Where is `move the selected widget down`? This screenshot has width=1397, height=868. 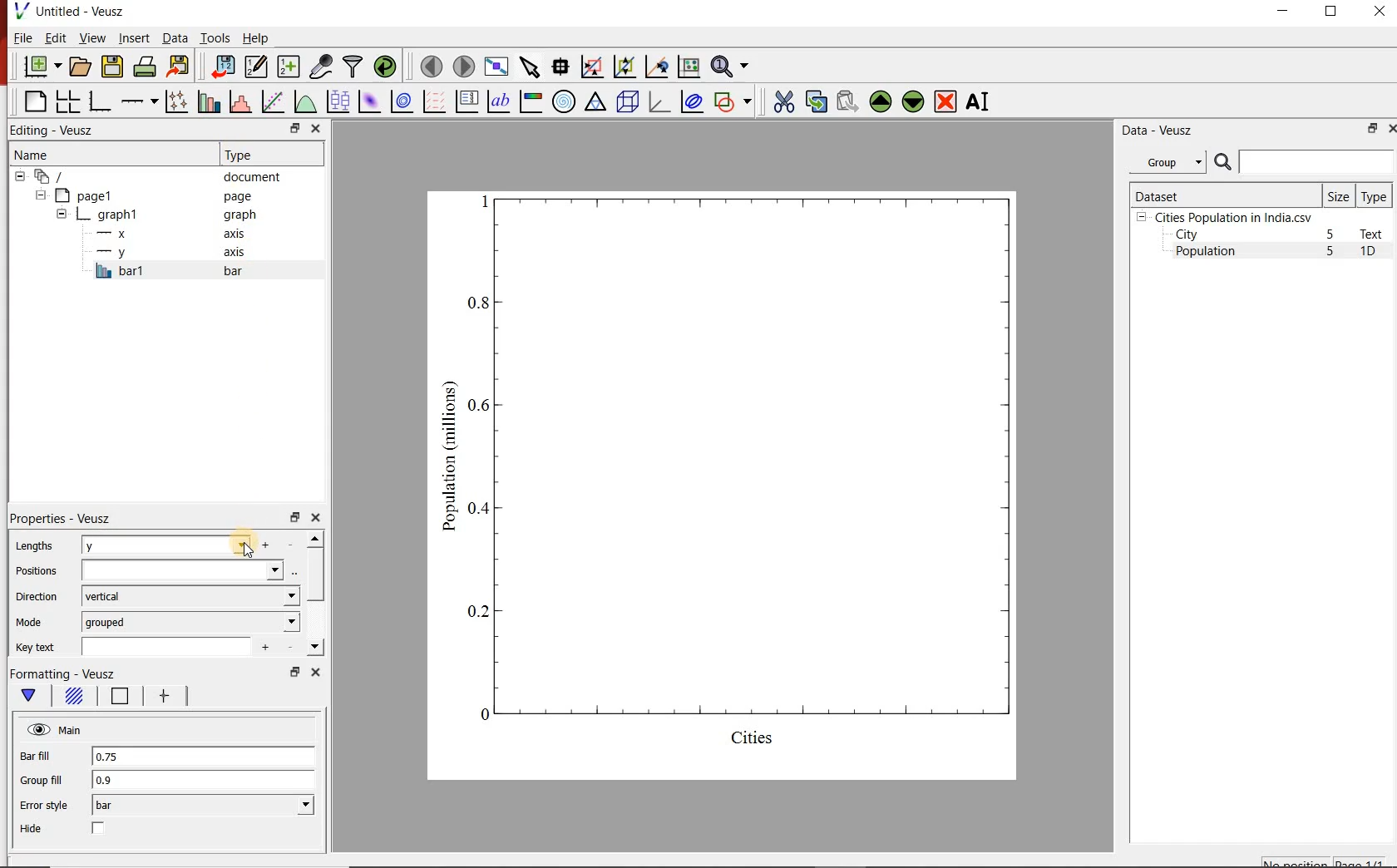 move the selected widget down is located at coordinates (913, 101).